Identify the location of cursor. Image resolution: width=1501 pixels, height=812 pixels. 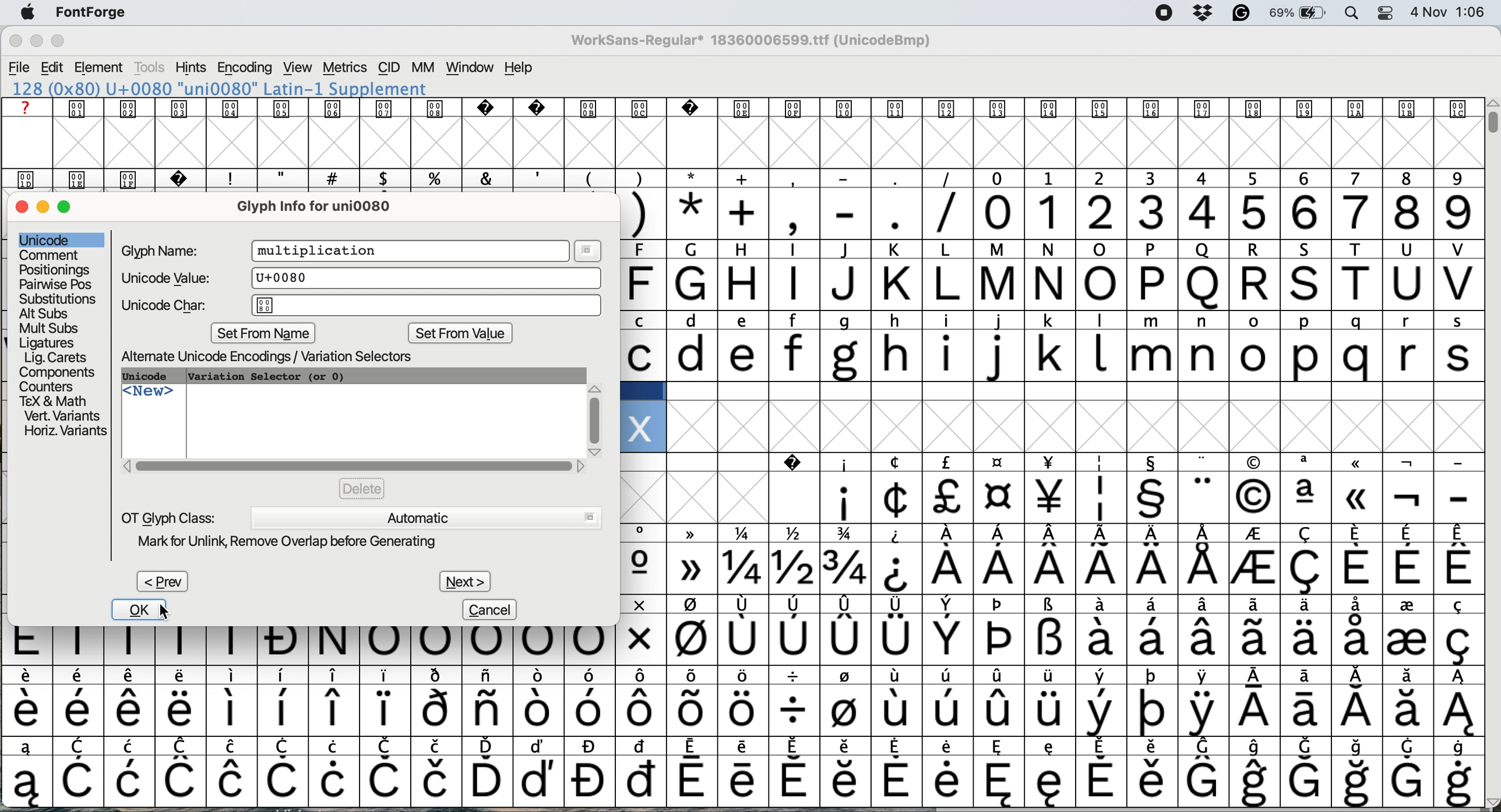
(167, 613).